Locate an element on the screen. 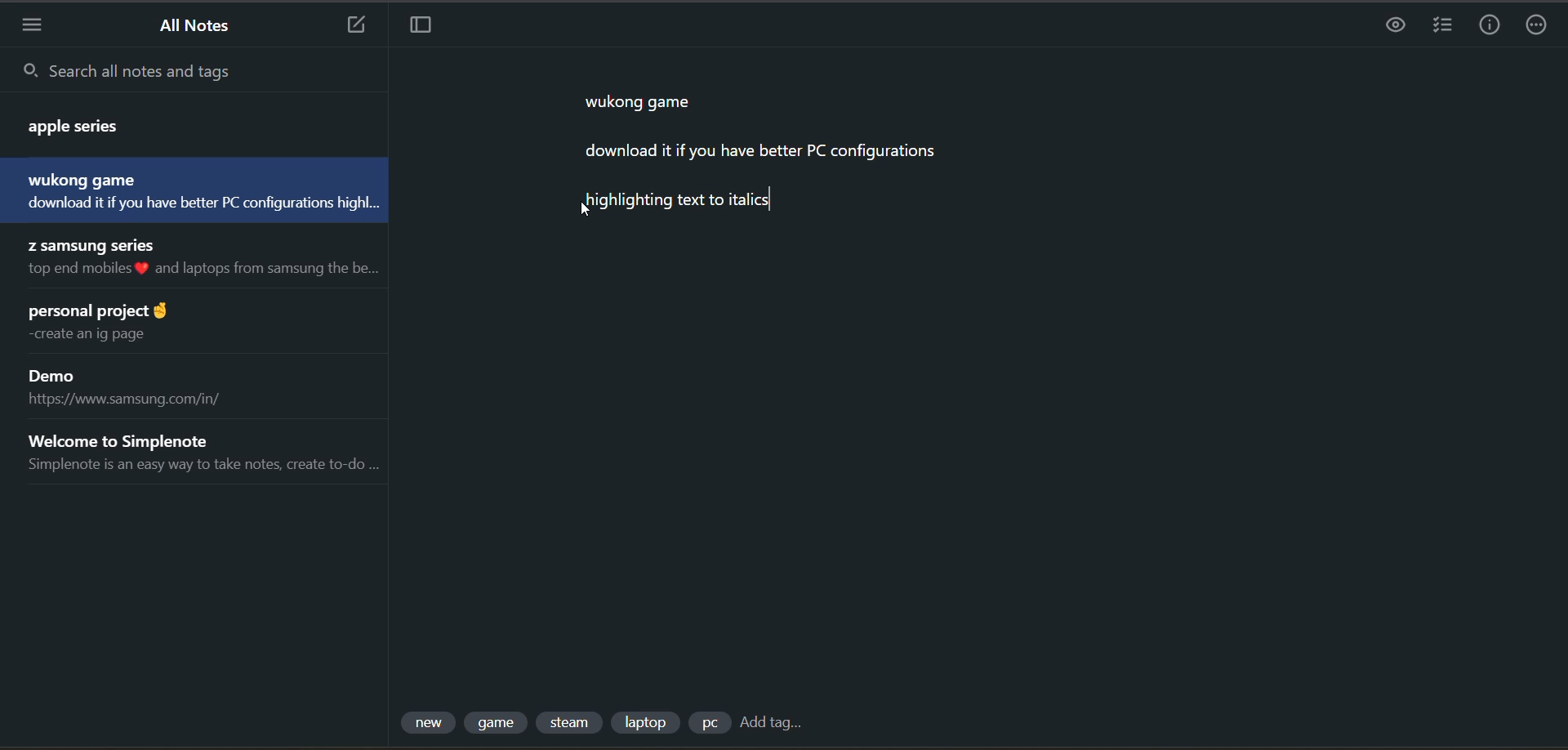 The width and height of the screenshot is (1568, 750). note title and preview is located at coordinates (190, 190).